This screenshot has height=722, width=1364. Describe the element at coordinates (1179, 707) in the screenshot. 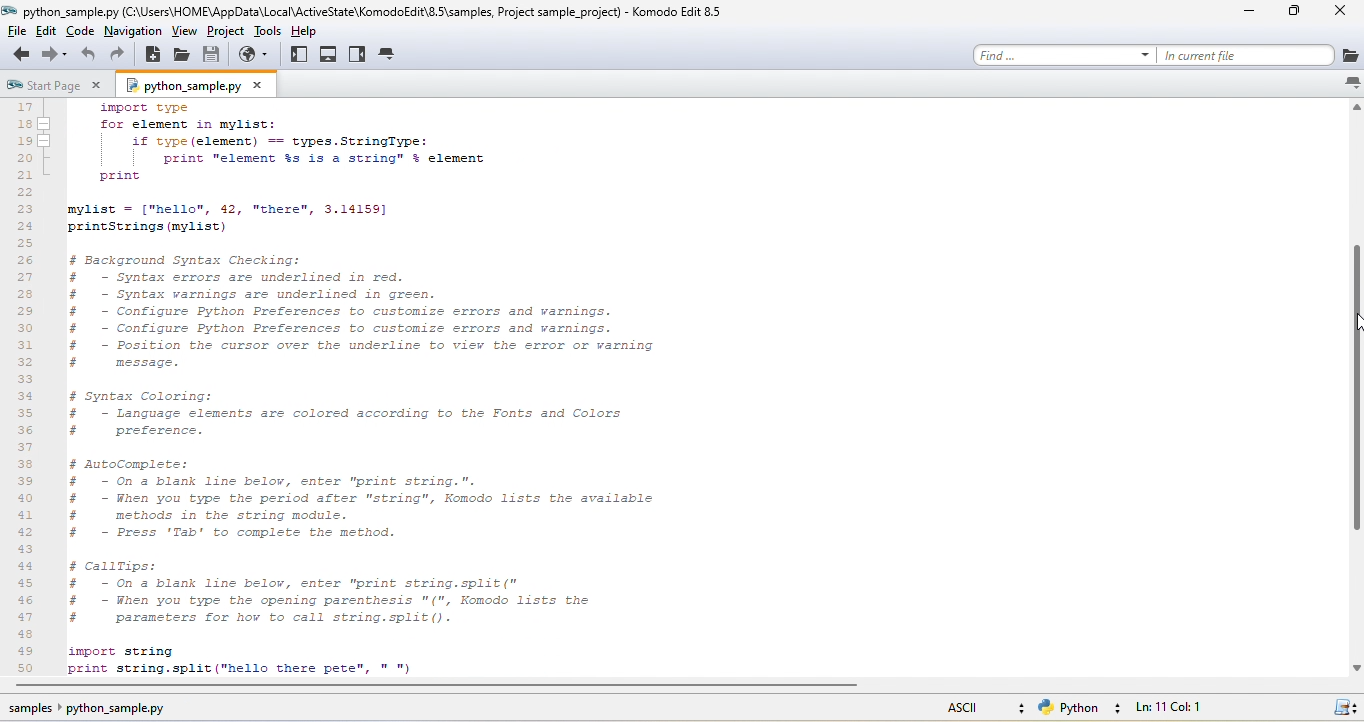

I see `ln 11, col 1` at that location.